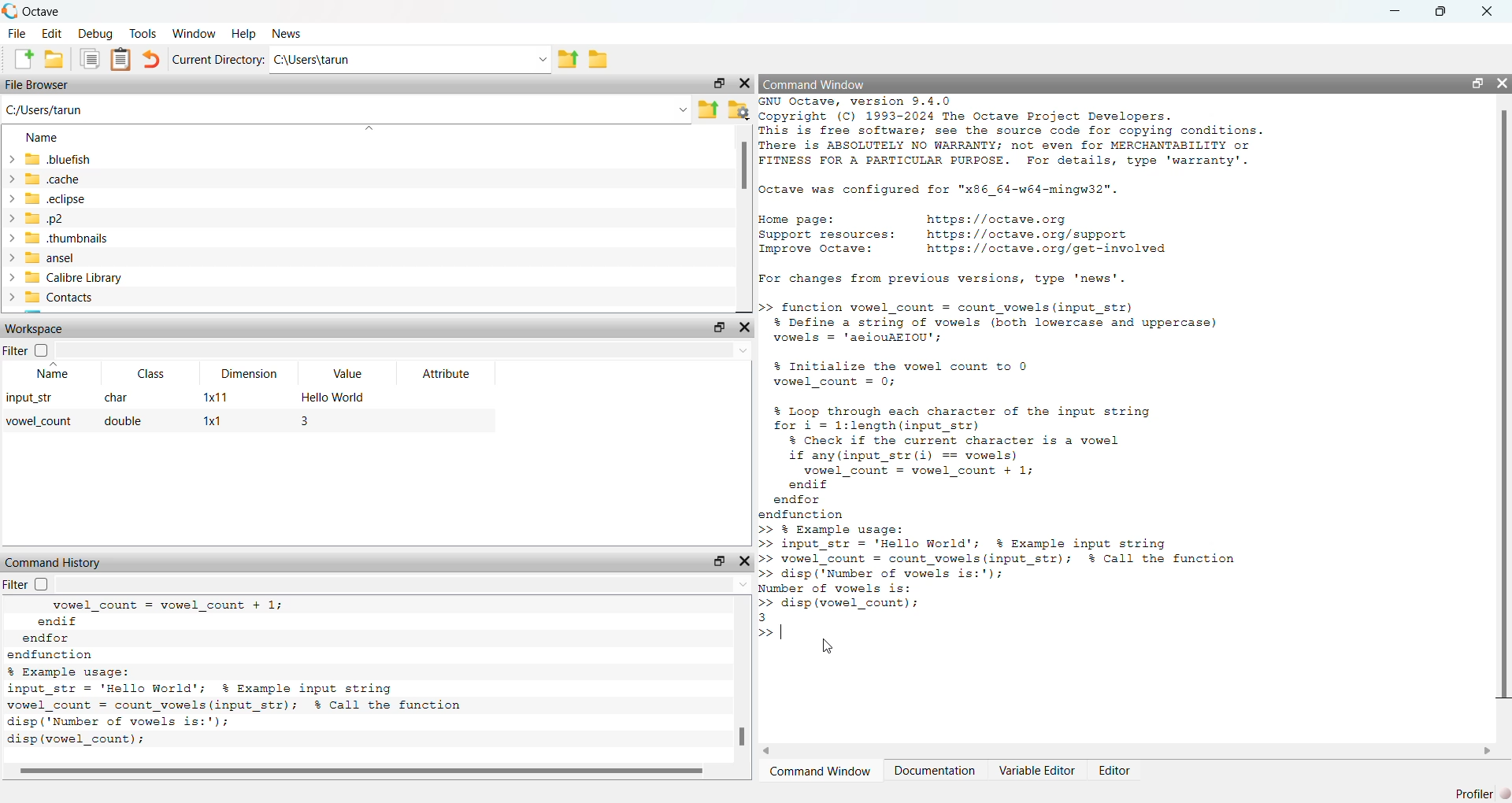  Describe the element at coordinates (719, 83) in the screenshot. I see `Undock Widget` at that location.